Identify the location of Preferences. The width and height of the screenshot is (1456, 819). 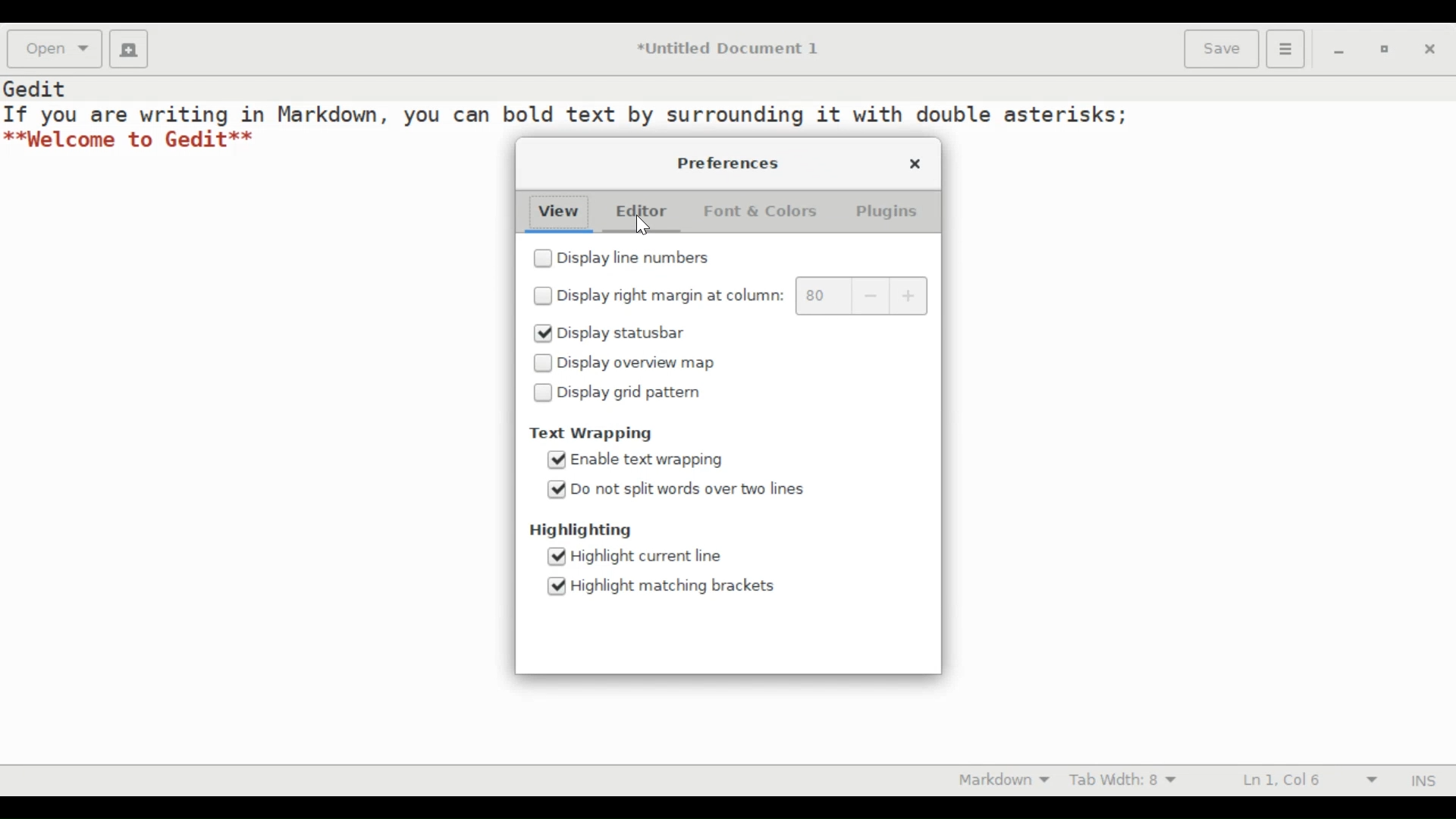
(730, 163).